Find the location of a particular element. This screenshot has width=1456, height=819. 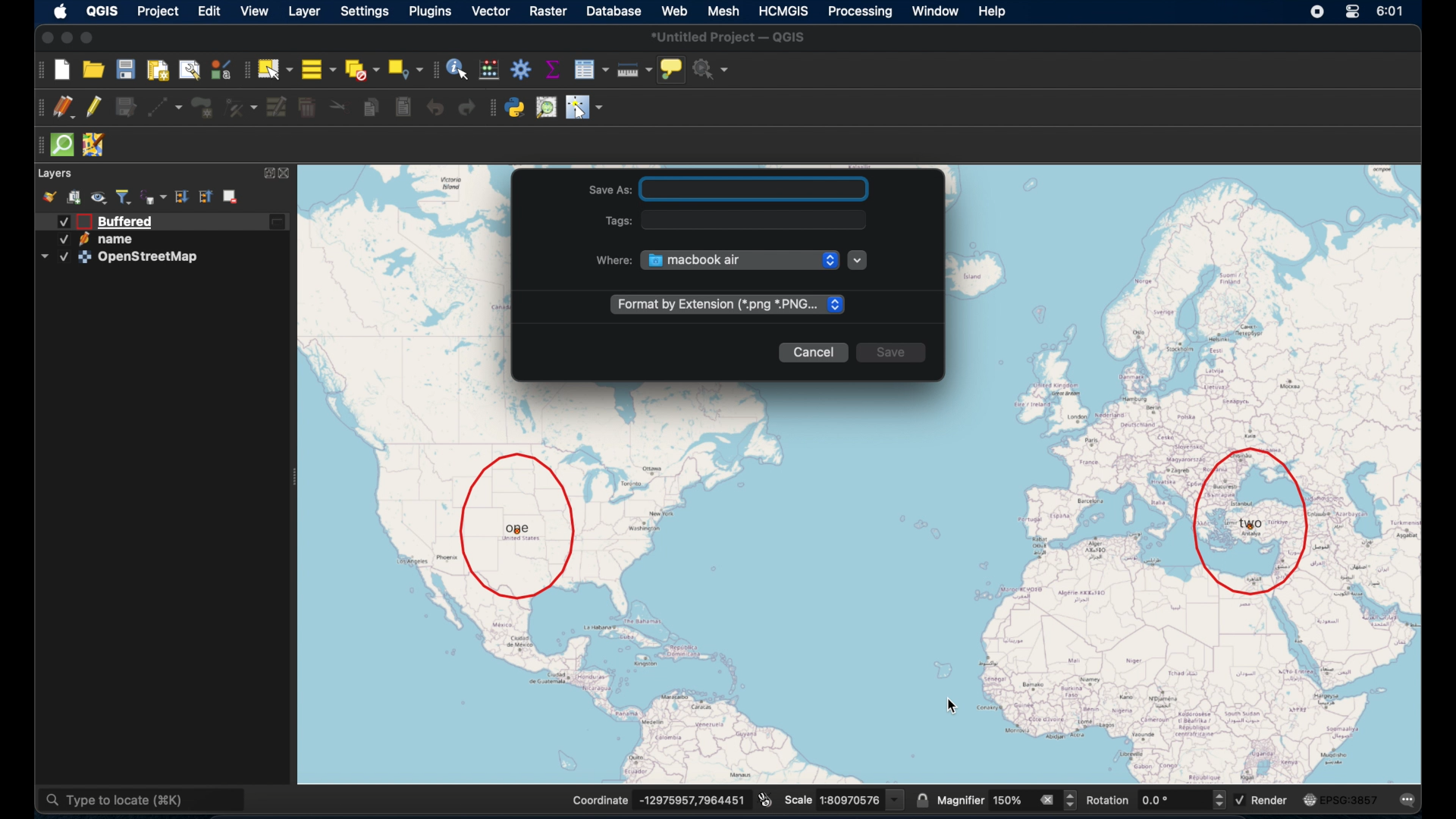

remove layer/group is located at coordinates (234, 197).